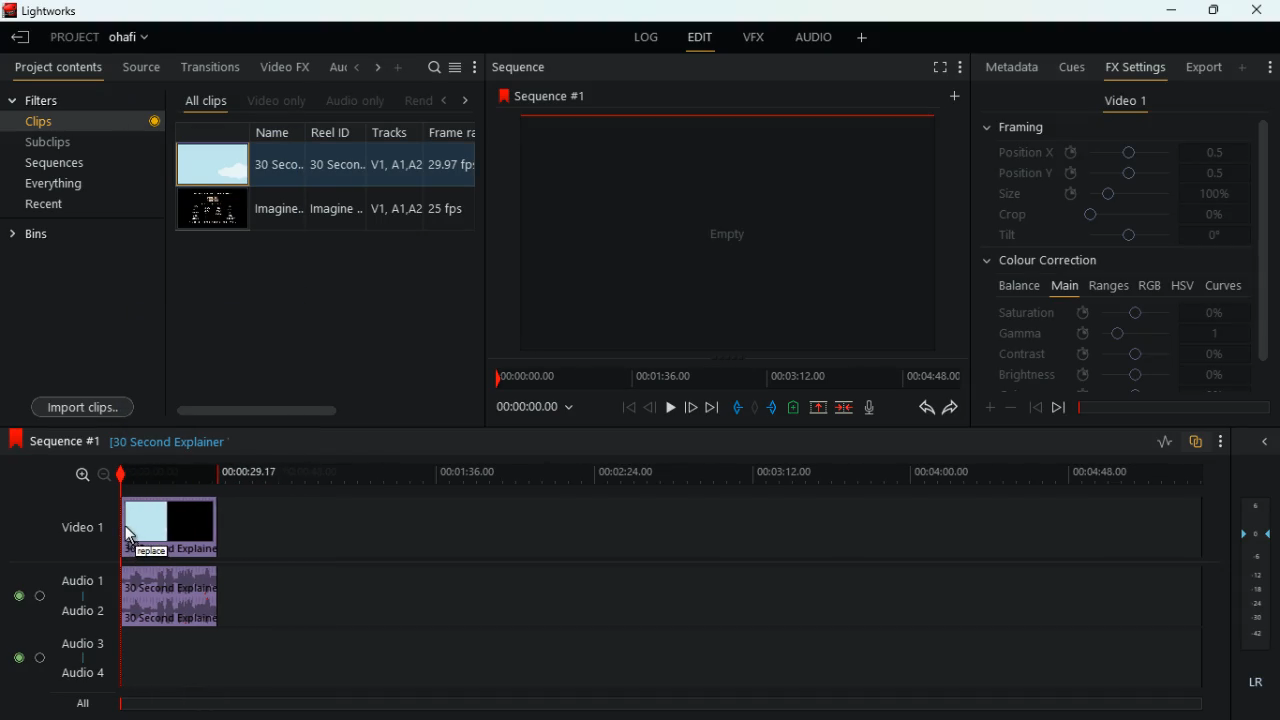  I want to click on front, so click(1058, 409).